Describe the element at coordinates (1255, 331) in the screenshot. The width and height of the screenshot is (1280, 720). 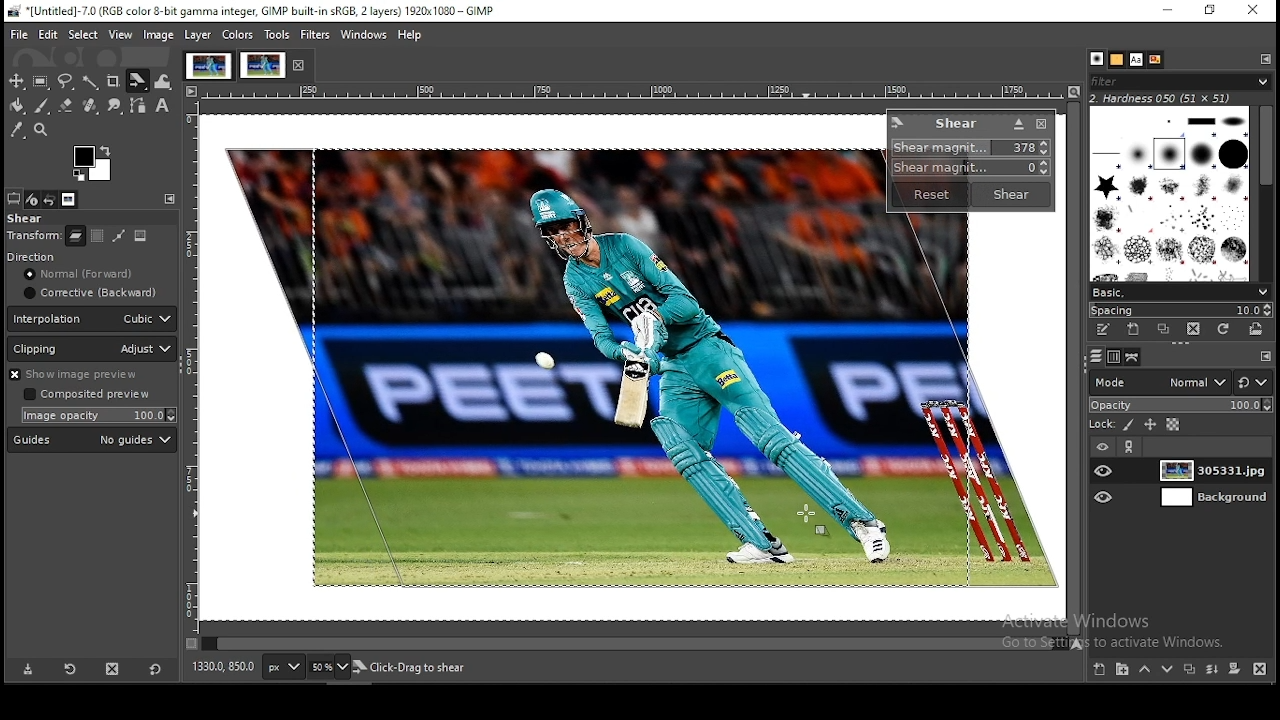
I see `open brush as image` at that location.